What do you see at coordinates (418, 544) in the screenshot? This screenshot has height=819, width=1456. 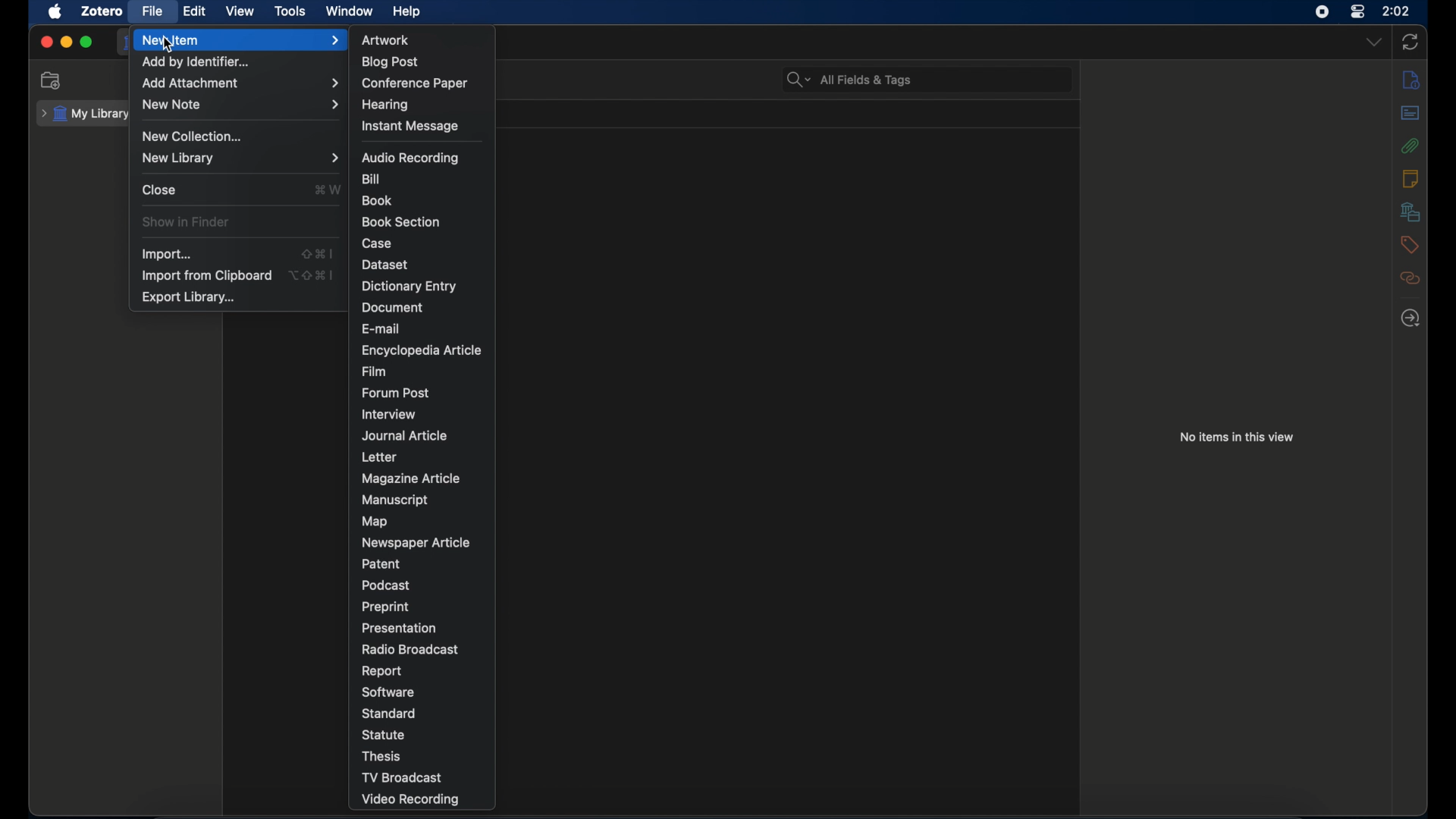 I see `newspaper article` at bounding box center [418, 544].